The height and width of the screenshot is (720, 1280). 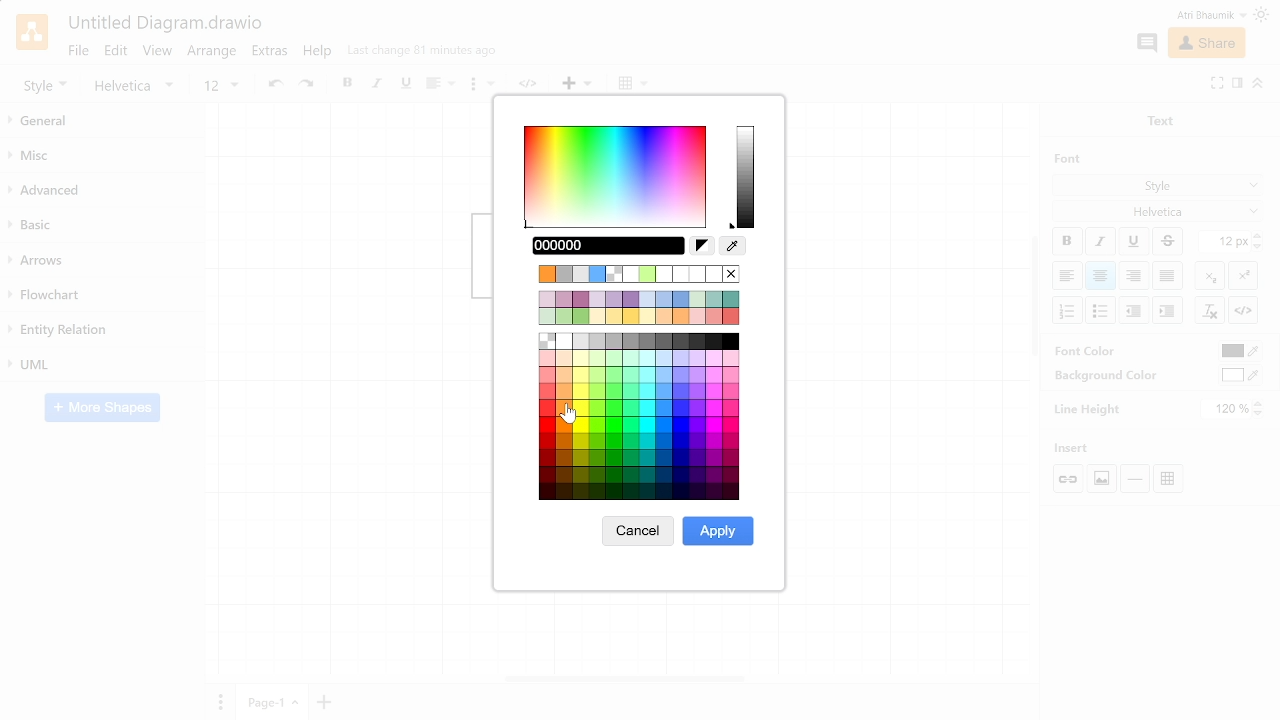 I want to click on Advanced, so click(x=102, y=191).